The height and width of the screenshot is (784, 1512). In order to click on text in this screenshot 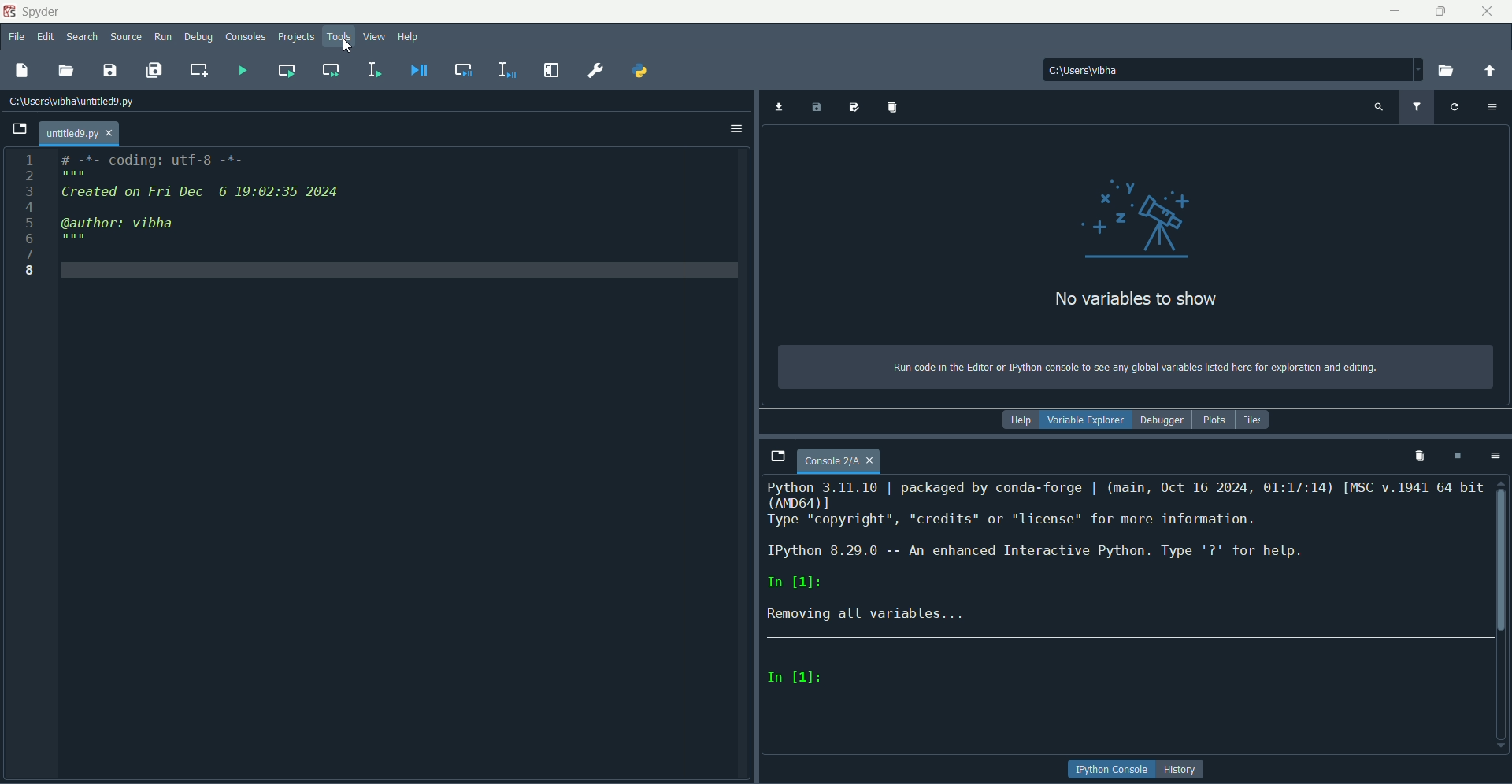, I will do `click(1126, 555)`.